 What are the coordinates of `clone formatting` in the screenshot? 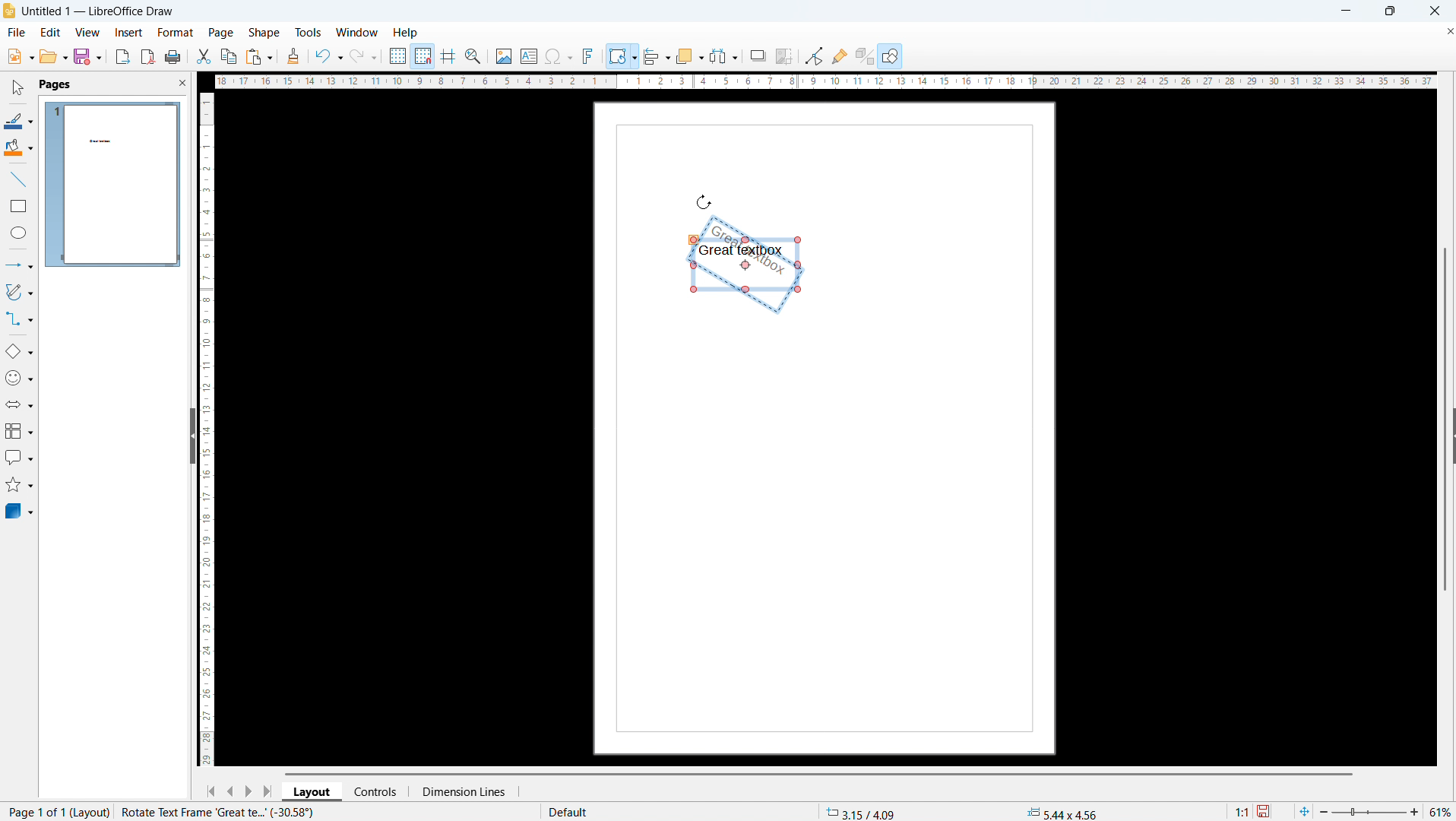 It's located at (293, 55).